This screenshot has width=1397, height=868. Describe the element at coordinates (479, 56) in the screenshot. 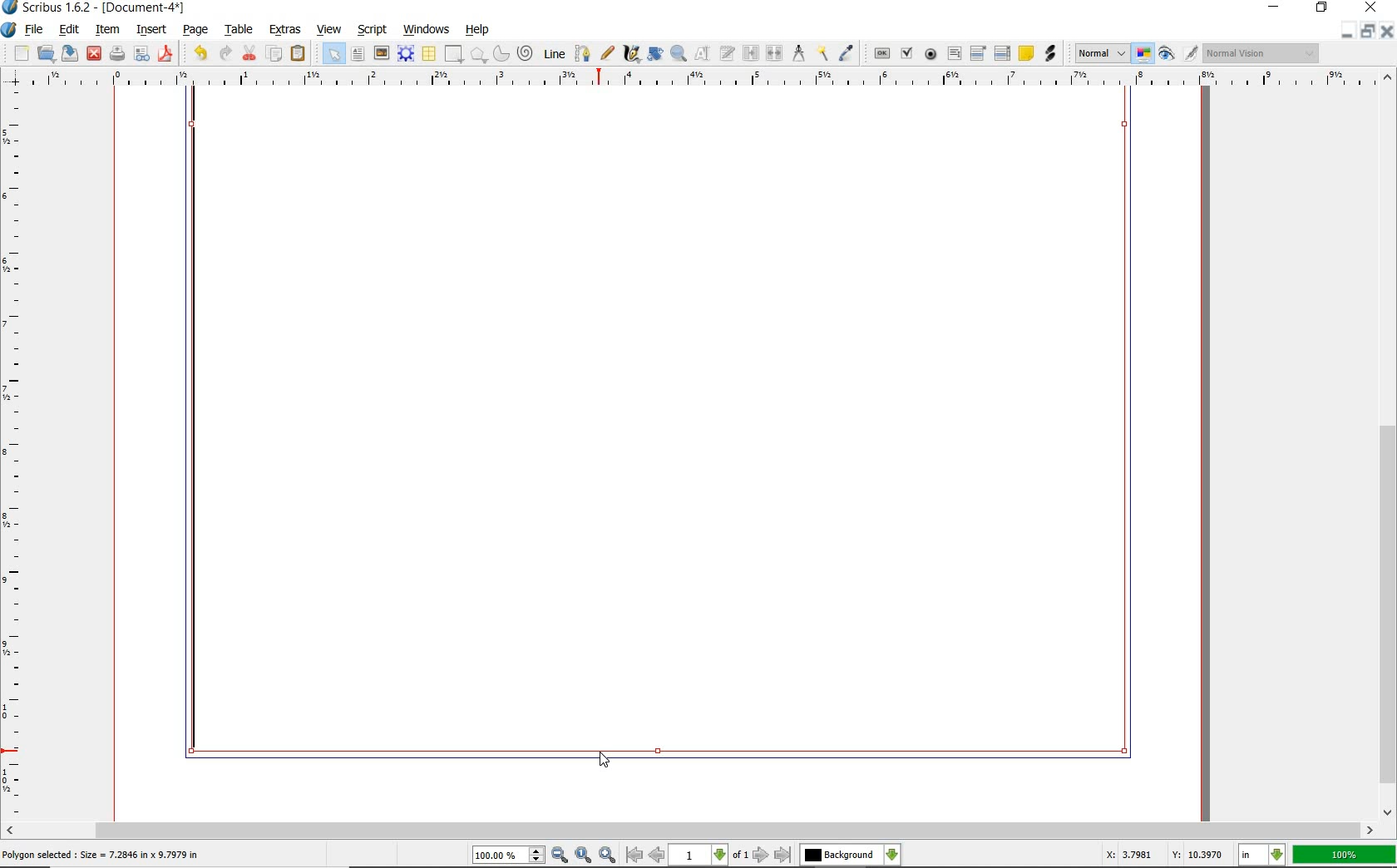

I see `polygon` at that location.